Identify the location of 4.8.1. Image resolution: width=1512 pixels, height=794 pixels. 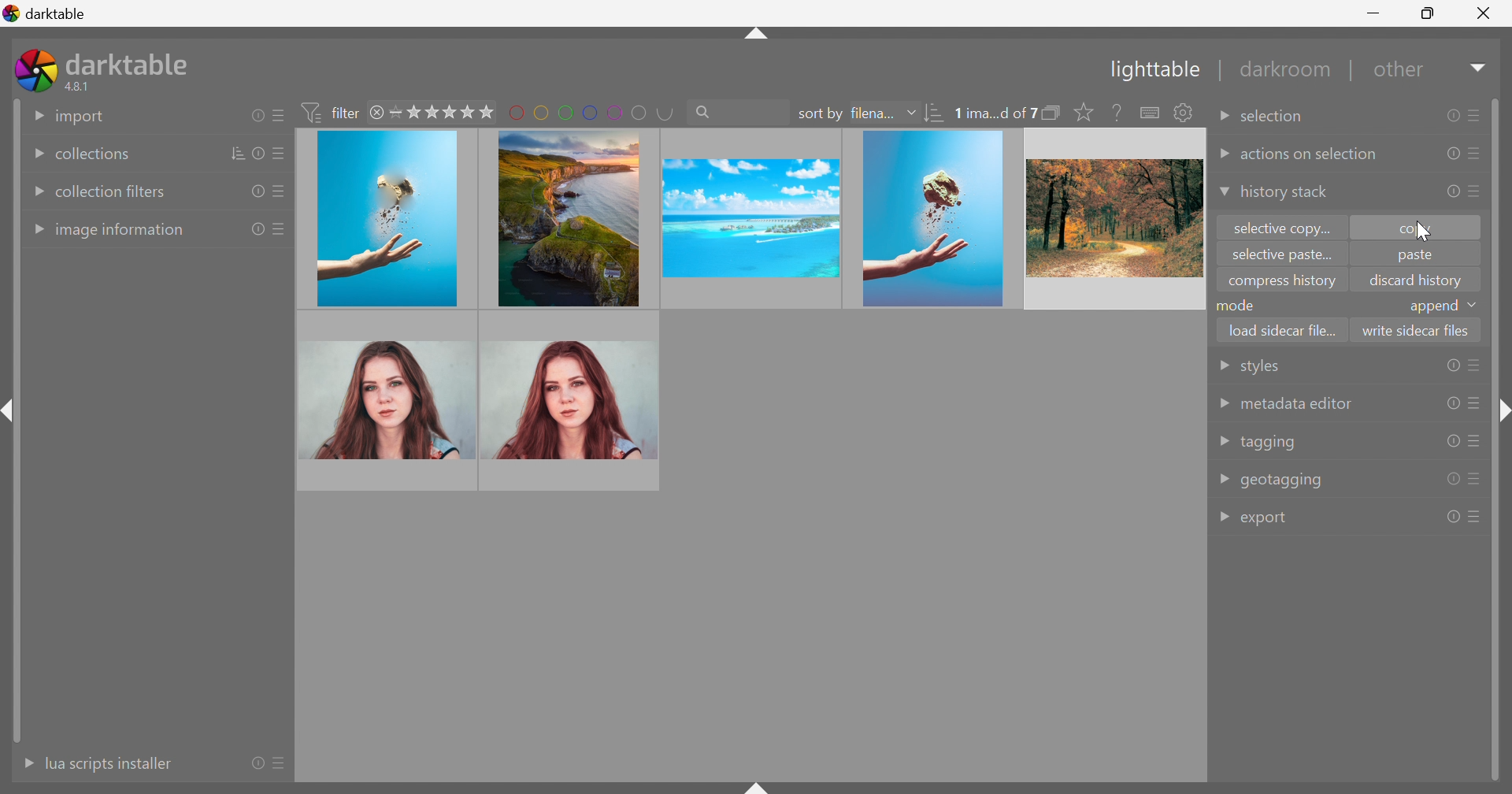
(83, 87).